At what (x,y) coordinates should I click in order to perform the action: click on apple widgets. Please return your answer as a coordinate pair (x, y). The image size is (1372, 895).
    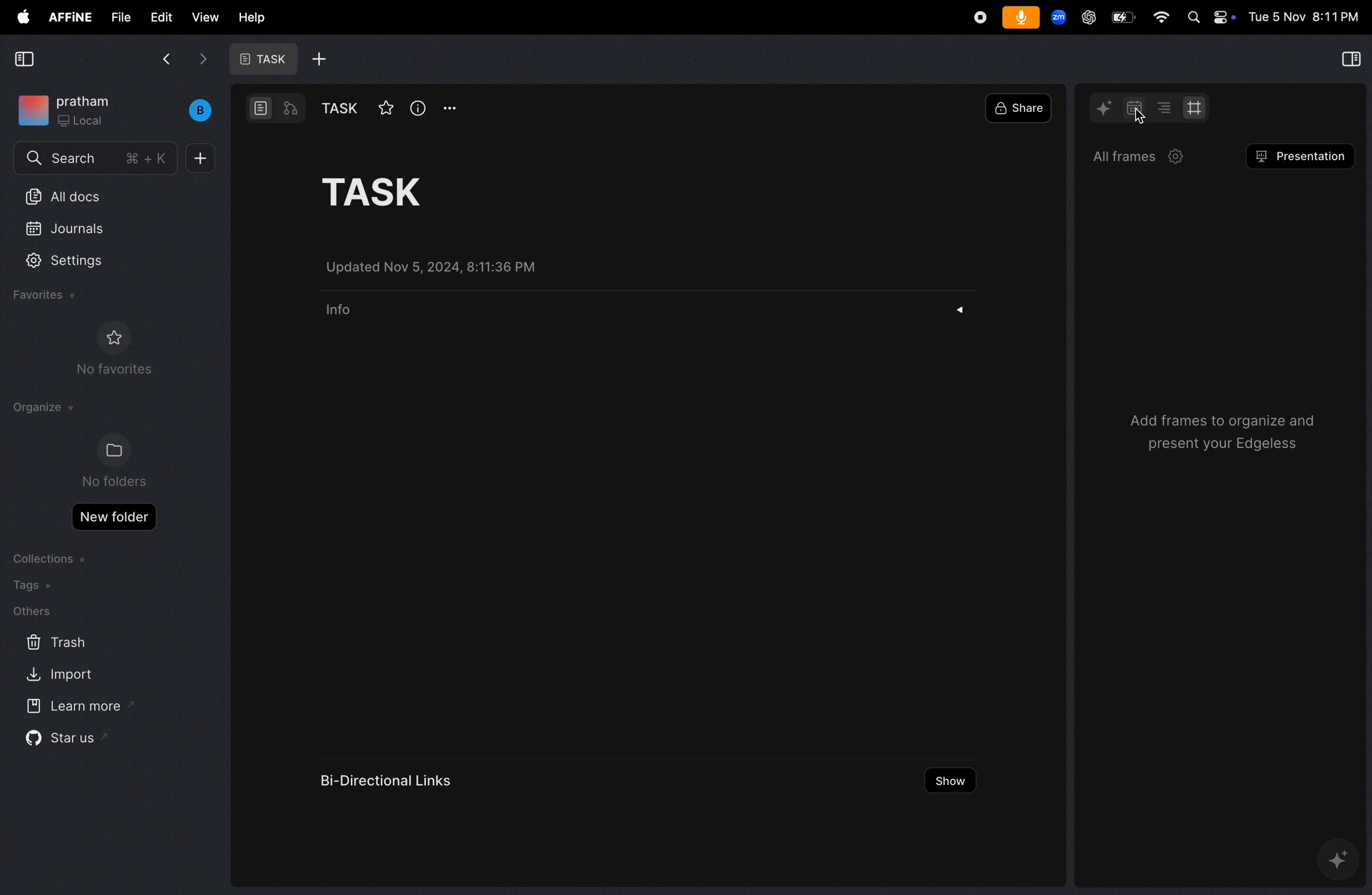
    Looking at the image, I should click on (1211, 18).